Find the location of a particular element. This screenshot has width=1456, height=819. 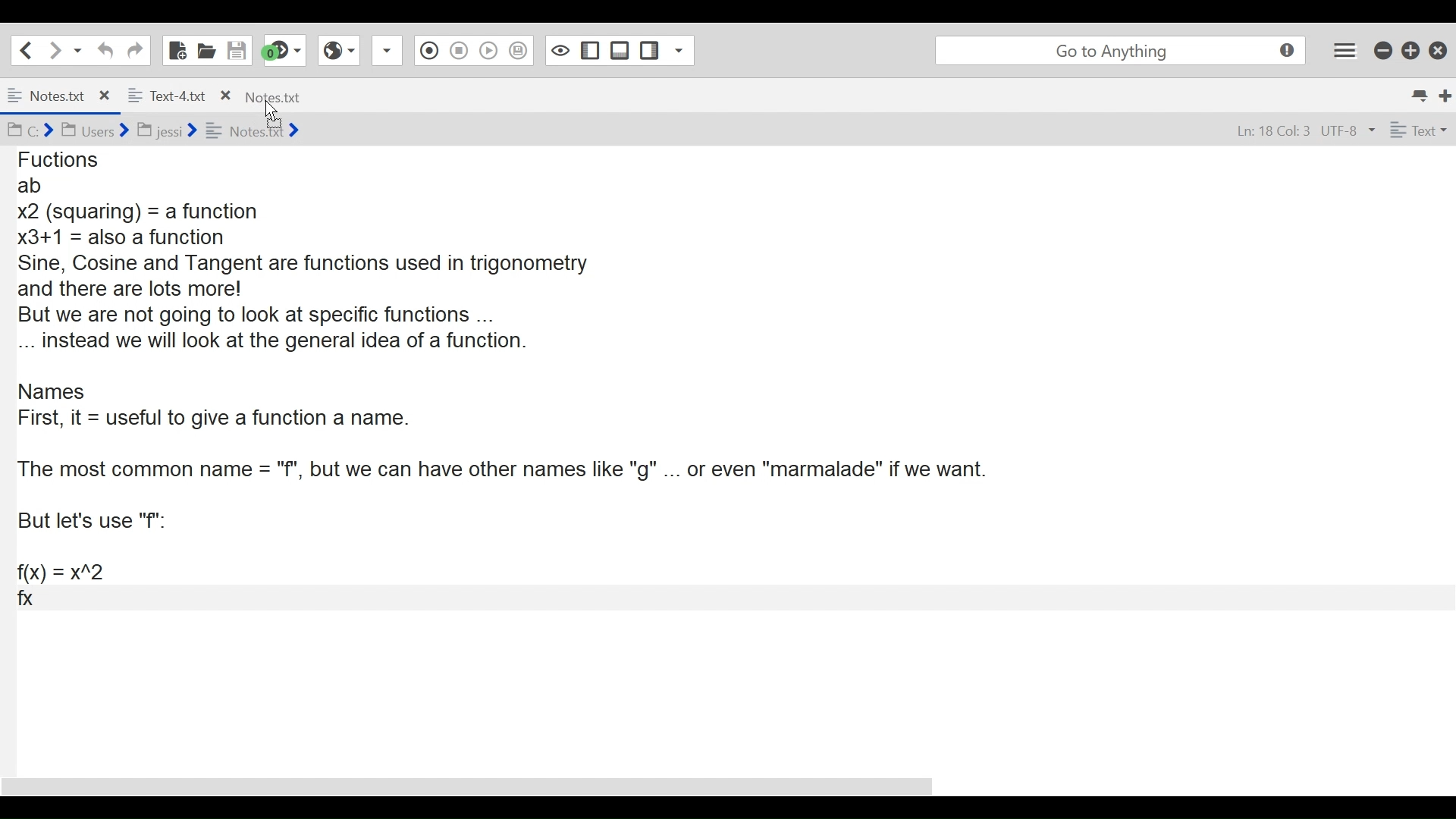

New File is located at coordinates (175, 49).